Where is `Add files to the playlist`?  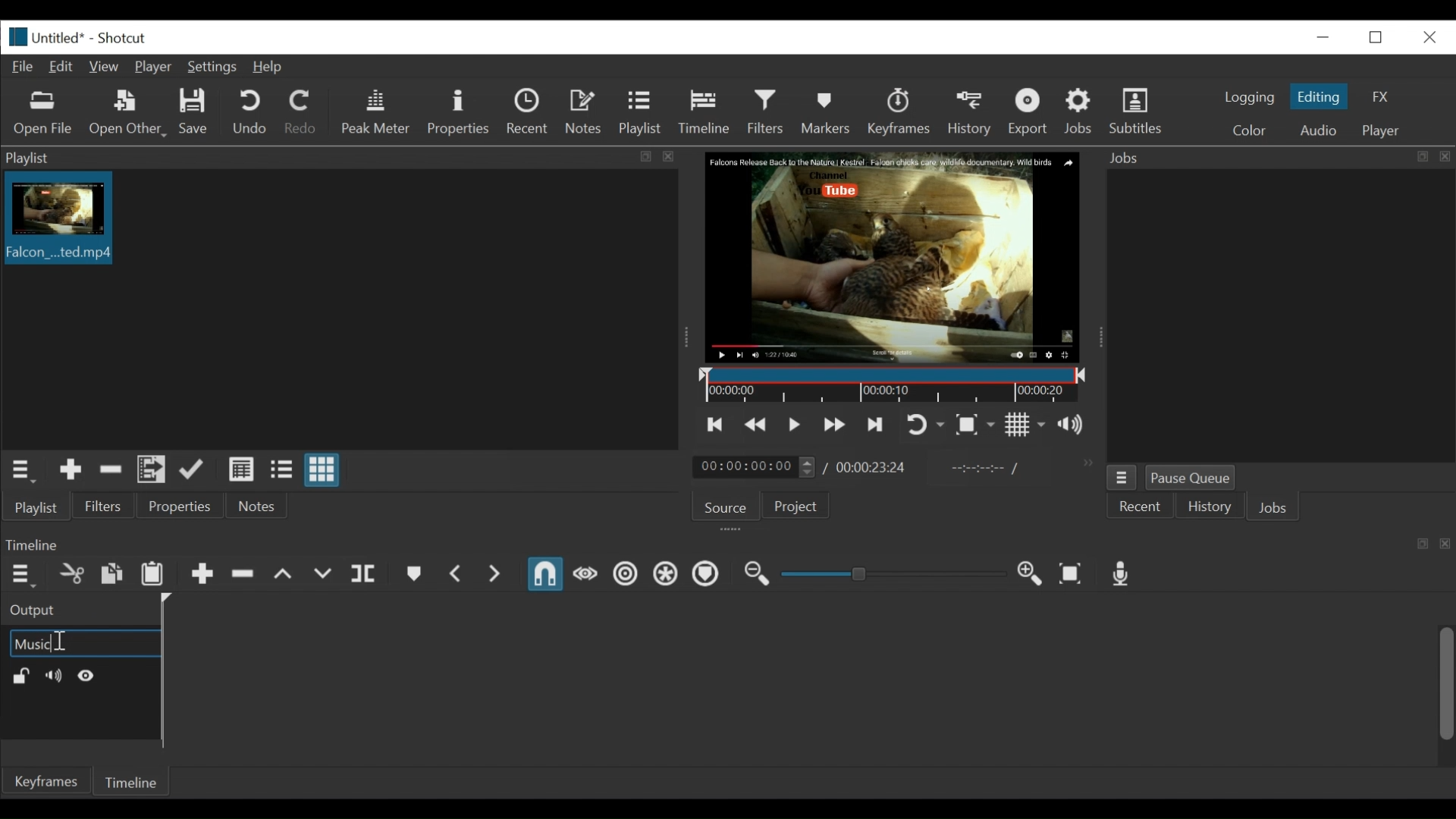 Add files to the playlist is located at coordinates (153, 470).